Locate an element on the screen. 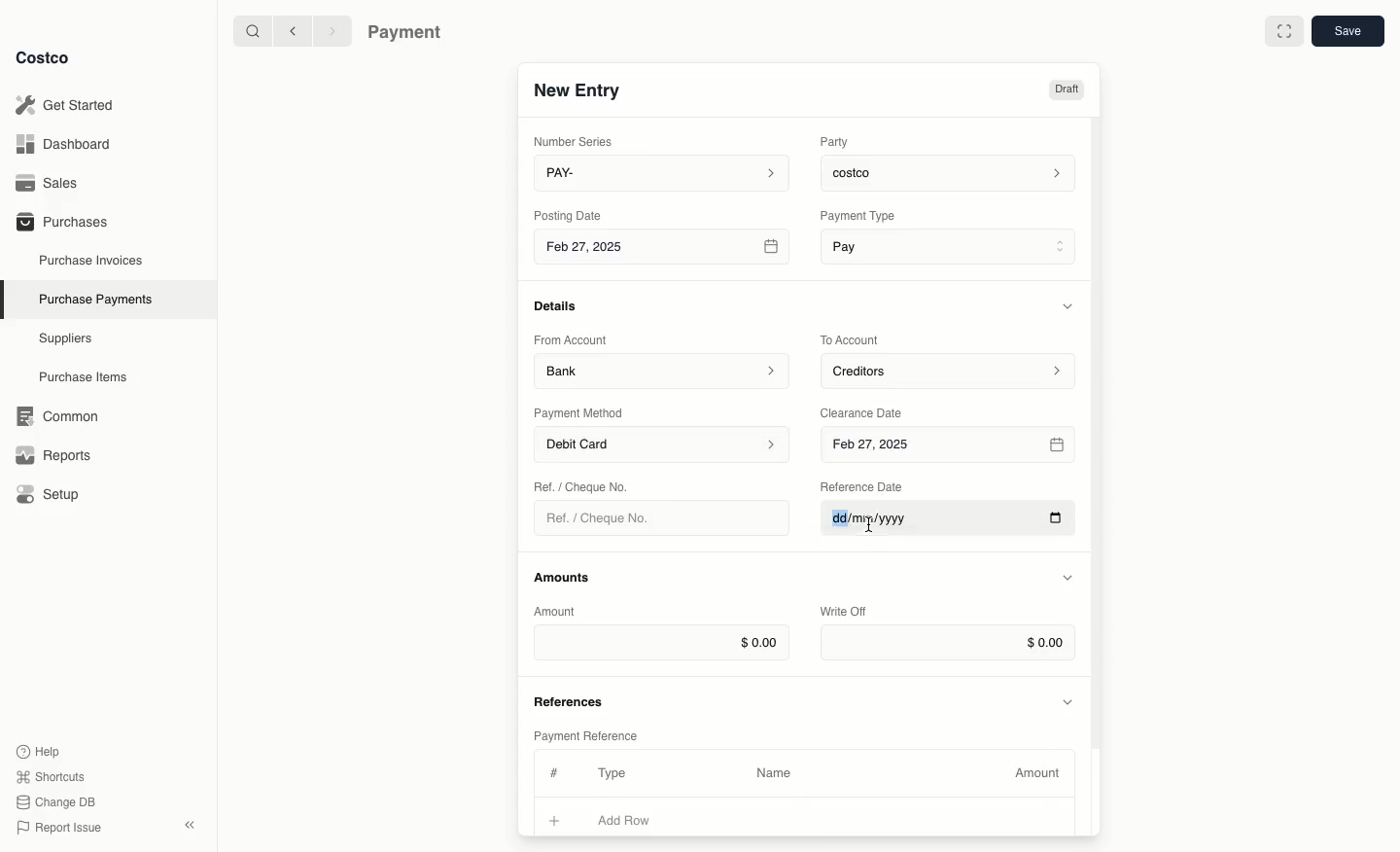  Report Issue is located at coordinates (59, 829).